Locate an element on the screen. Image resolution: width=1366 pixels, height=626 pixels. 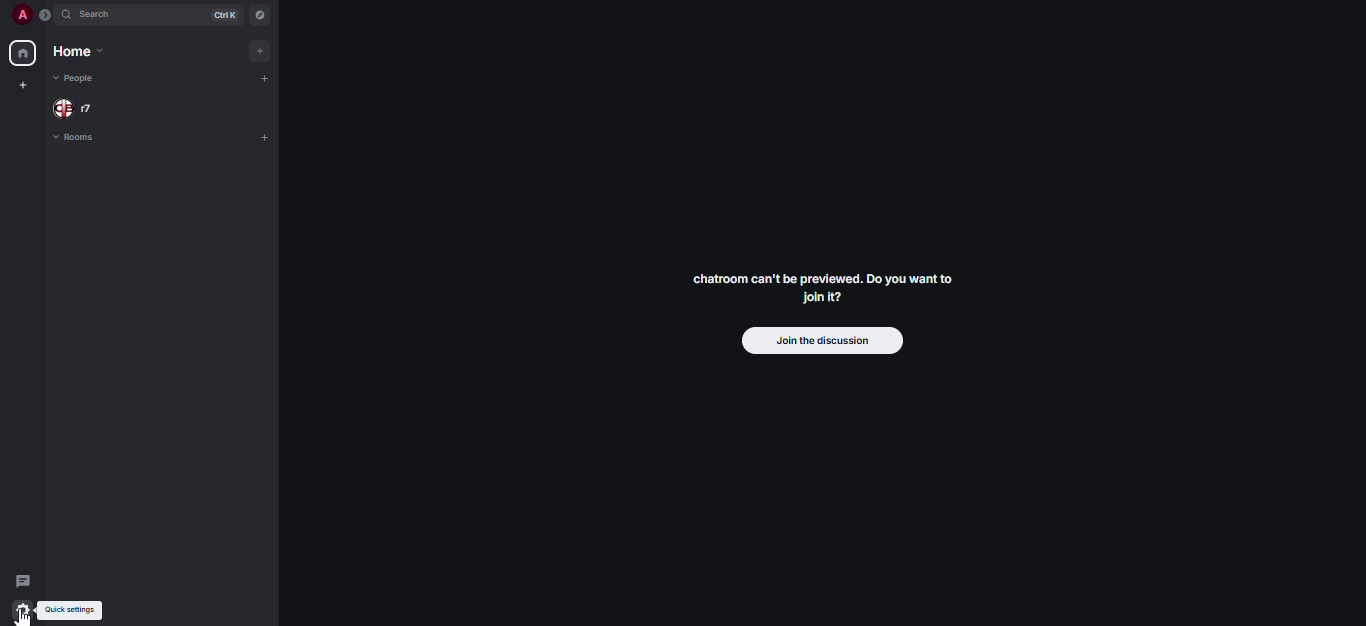
profile is located at coordinates (22, 14).